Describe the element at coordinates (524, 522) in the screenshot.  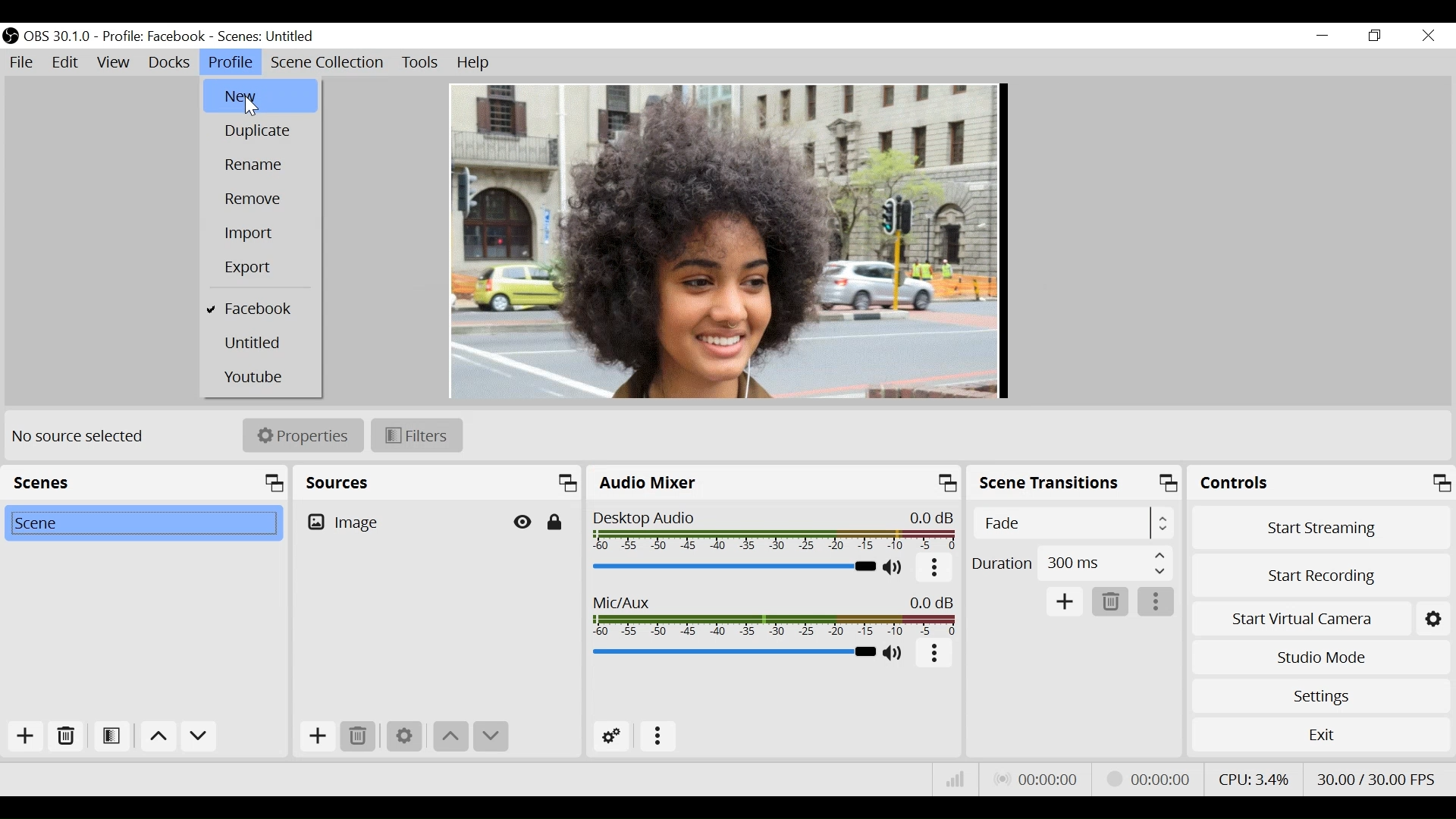
I see `Hide/Display` at that location.